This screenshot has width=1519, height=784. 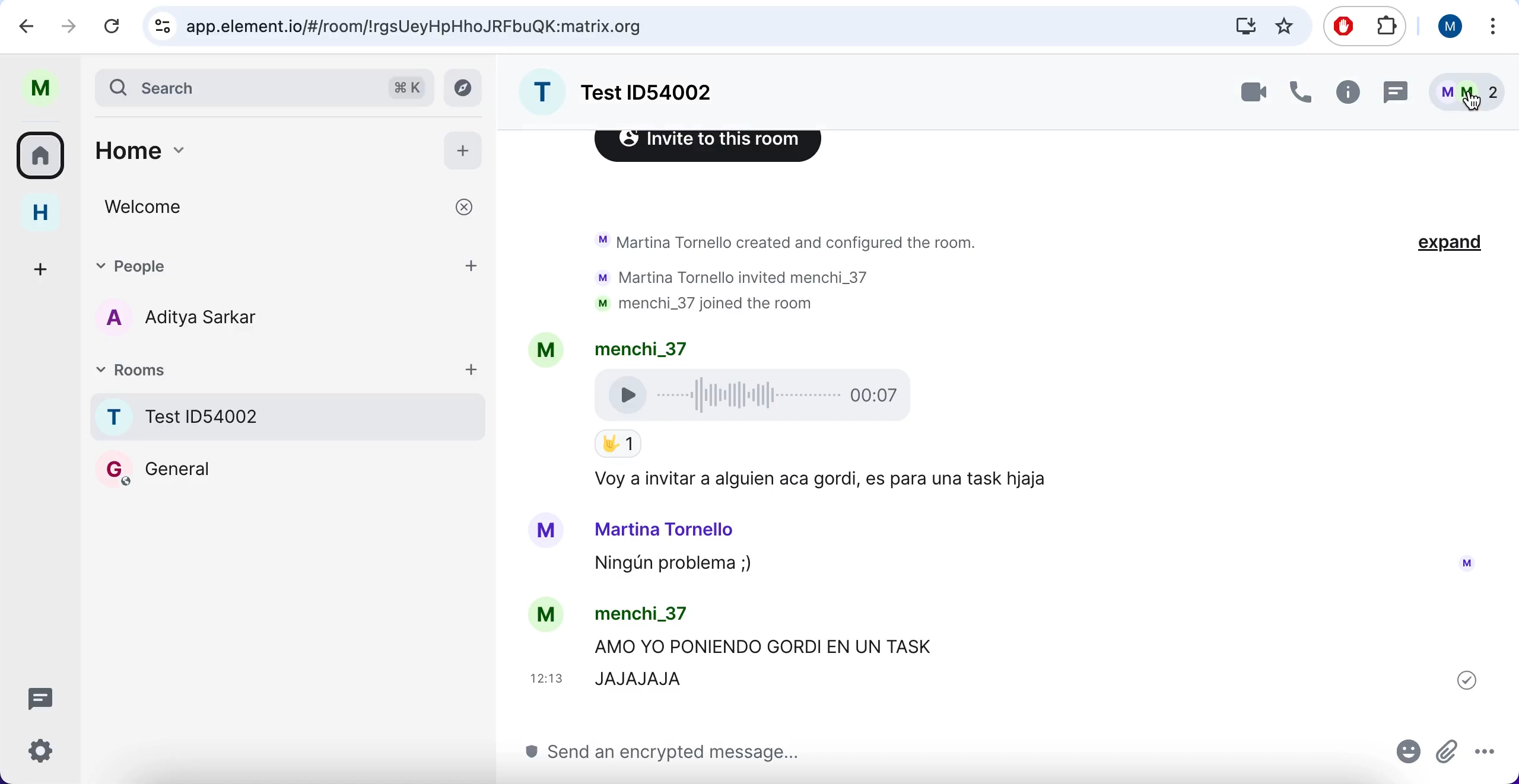 What do you see at coordinates (776, 277) in the screenshot?
I see `Martina Tornello created and configured the room.
Martina Tornello invited menchi_37
menchi_37 joined the room` at bounding box center [776, 277].